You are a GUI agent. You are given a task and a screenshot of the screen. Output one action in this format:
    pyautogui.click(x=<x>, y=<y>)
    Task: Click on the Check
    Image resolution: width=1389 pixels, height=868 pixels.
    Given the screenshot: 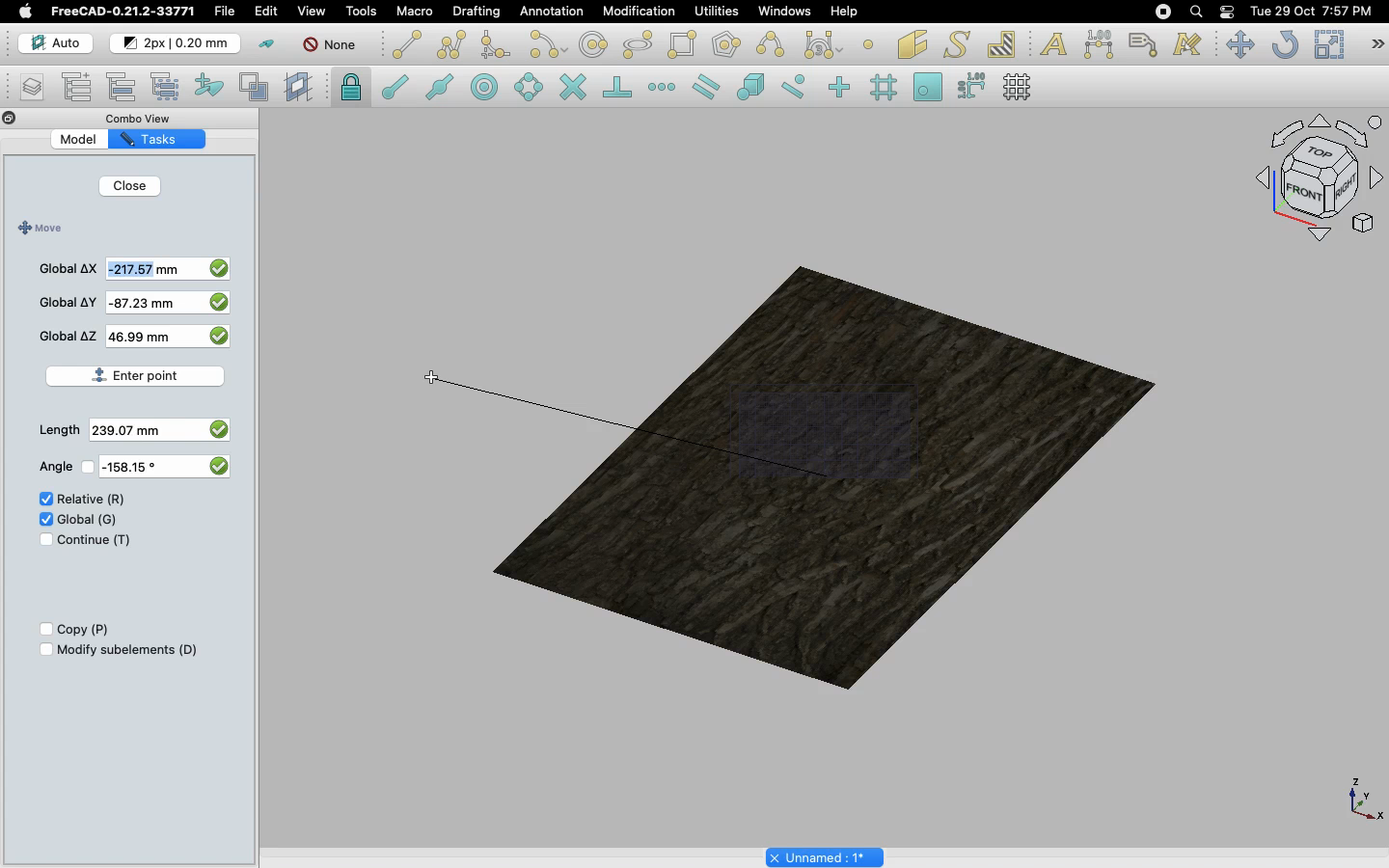 What is the action you would take?
    pyautogui.click(x=41, y=501)
    